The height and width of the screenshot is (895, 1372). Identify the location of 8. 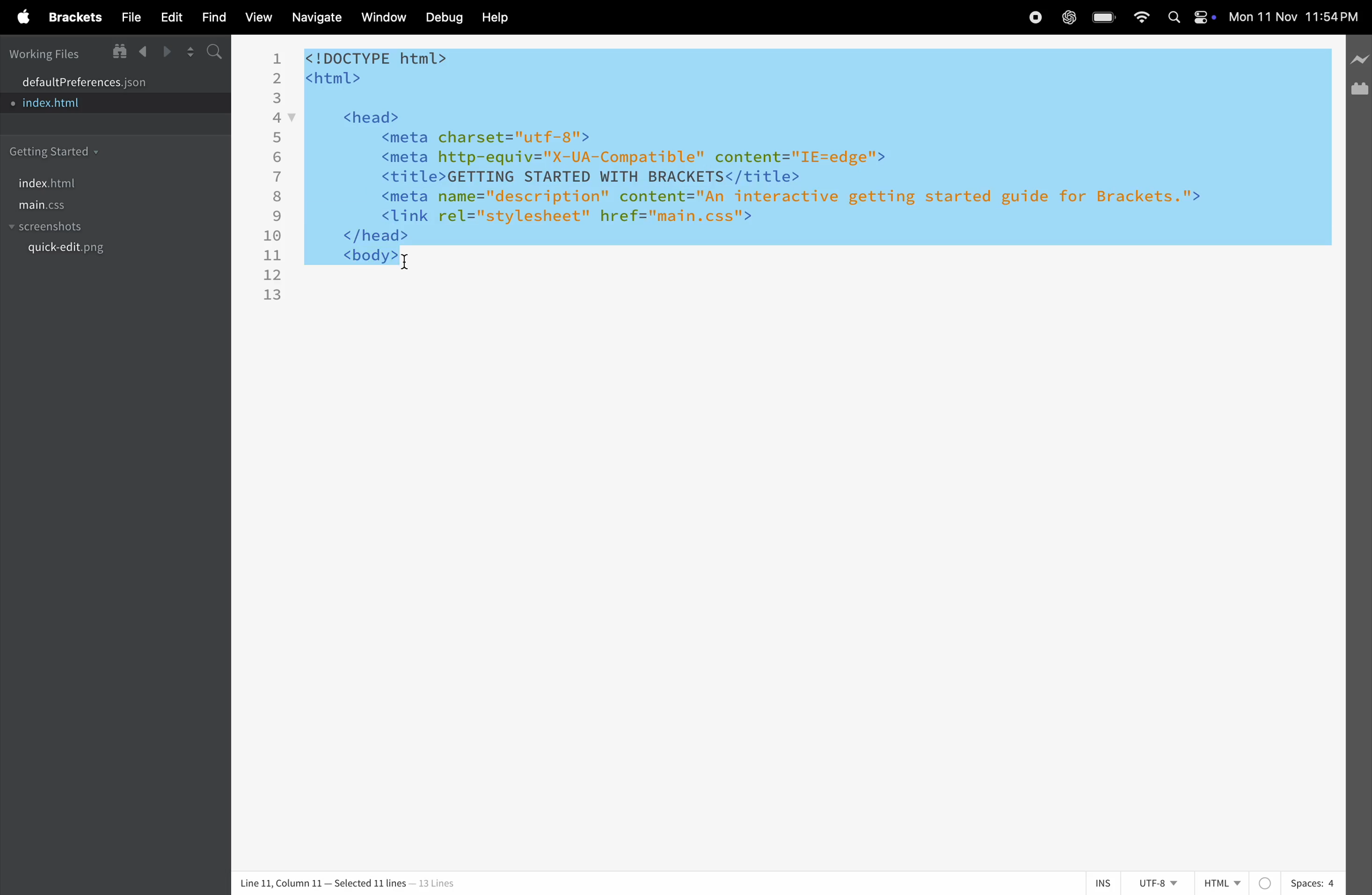
(278, 197).